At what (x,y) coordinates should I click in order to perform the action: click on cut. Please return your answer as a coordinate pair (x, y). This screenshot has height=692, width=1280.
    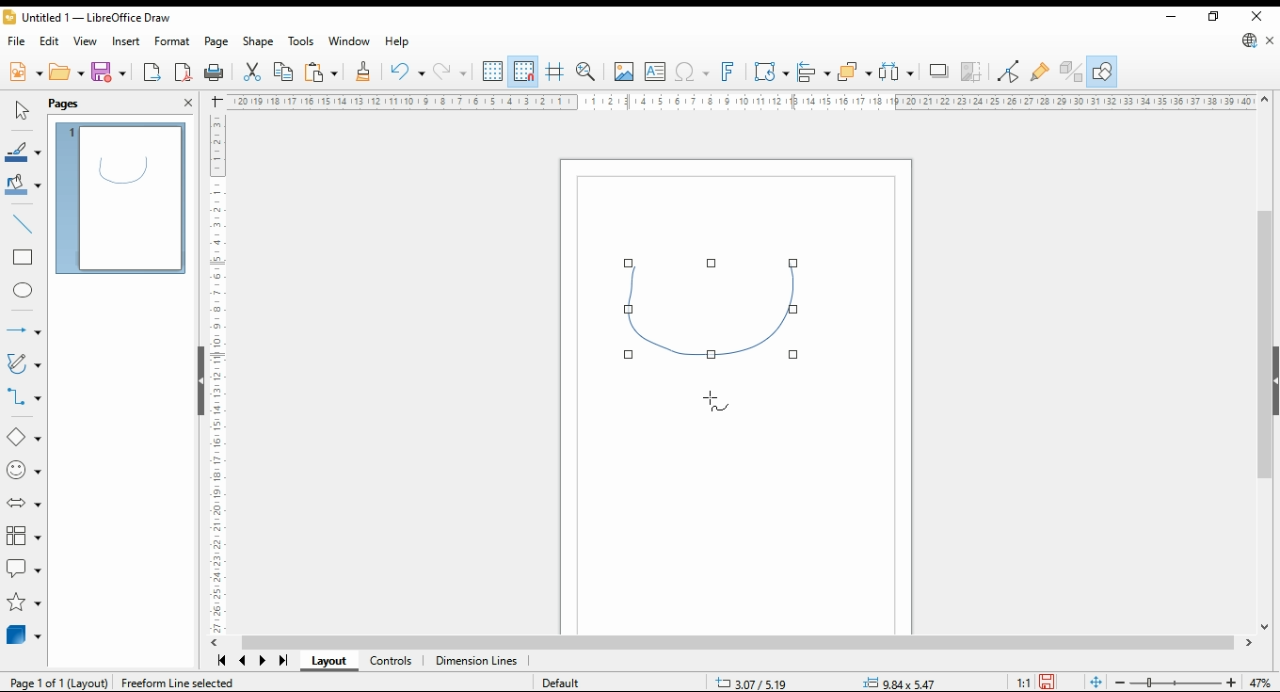
    Looking at the image, I should click on (251, 73).